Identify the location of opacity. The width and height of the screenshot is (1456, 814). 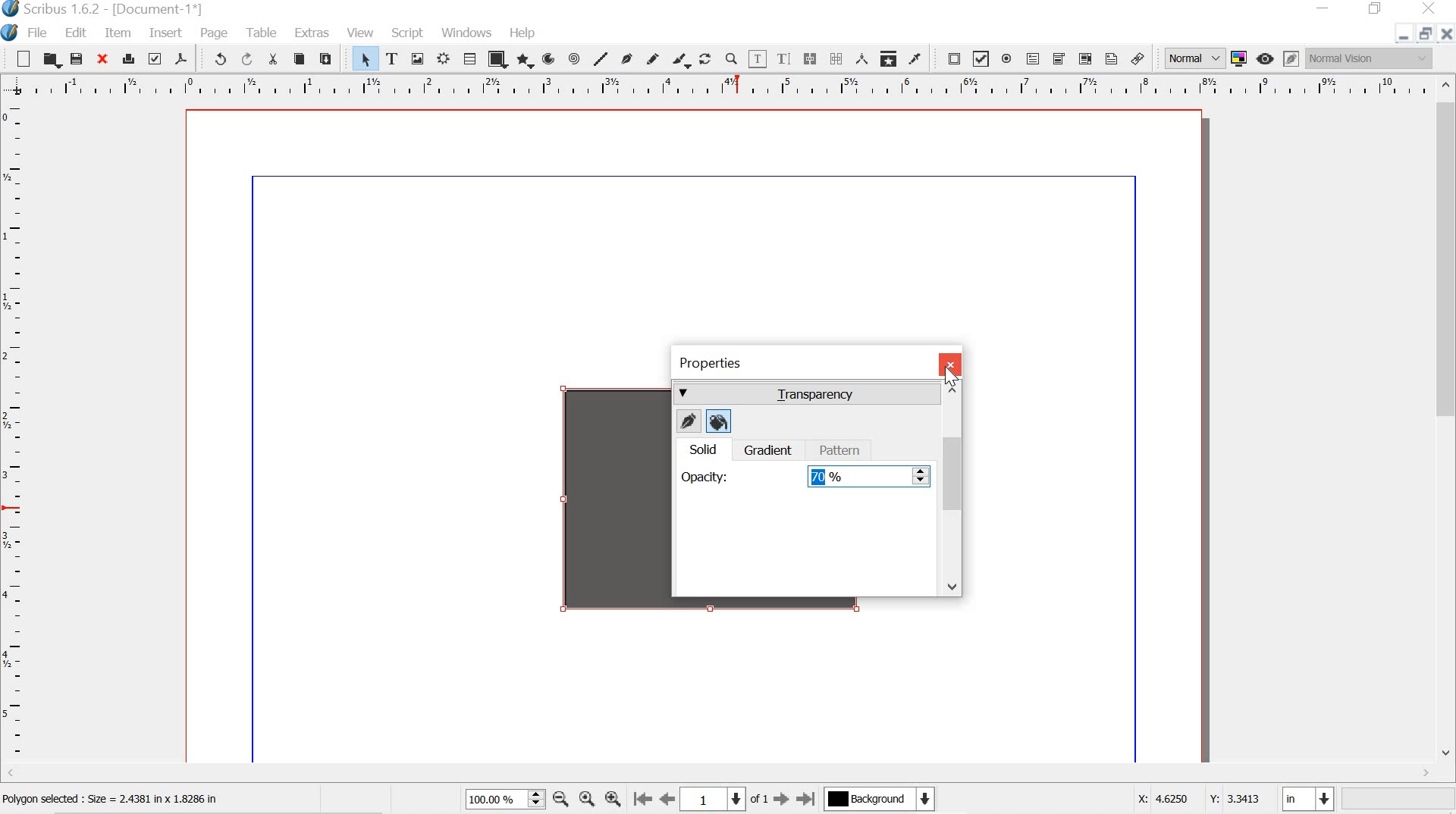
(703, 478).